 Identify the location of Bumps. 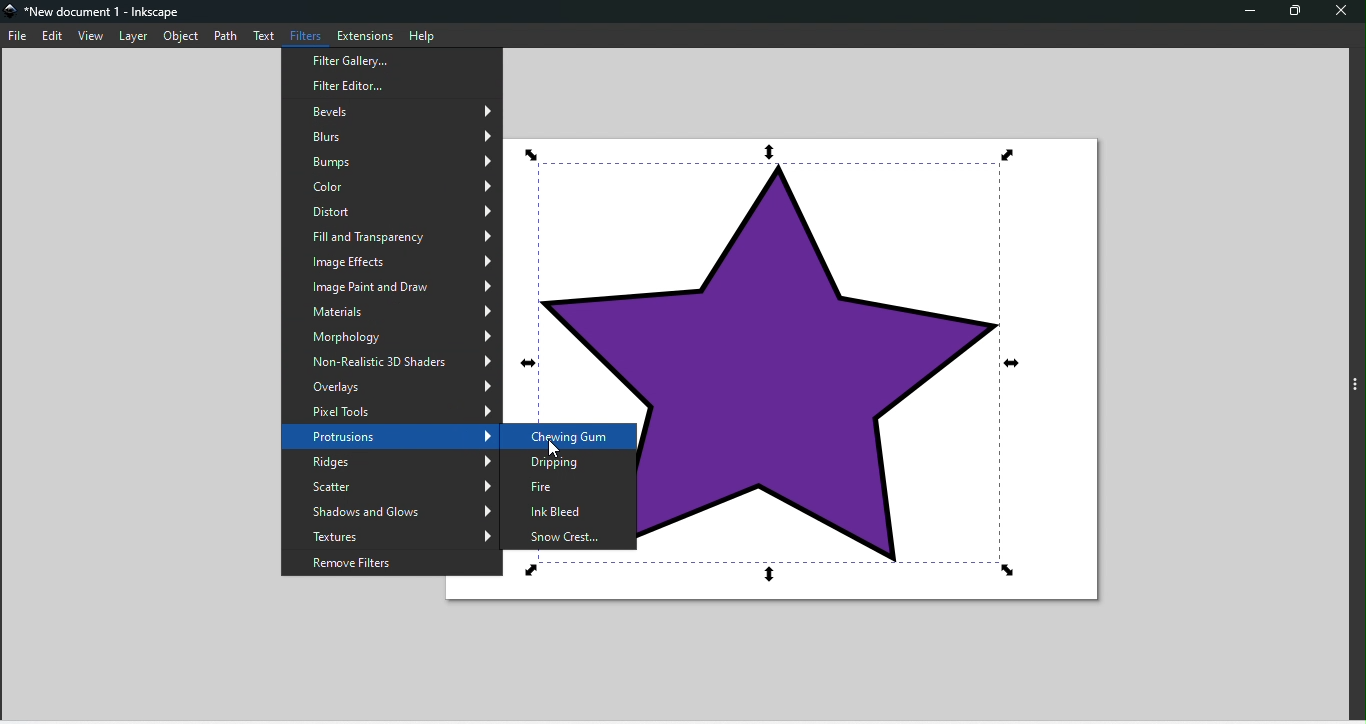
(392, 161).